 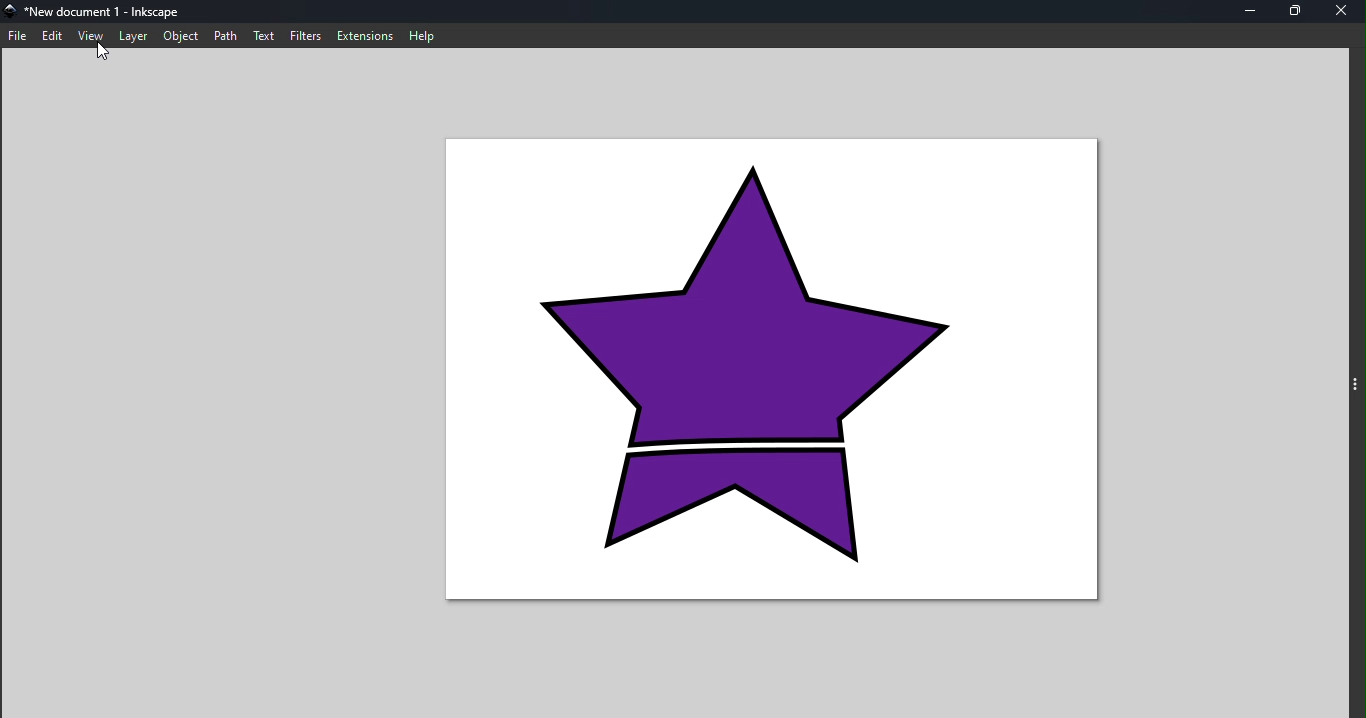 What do you see at coordinates (1297, 11) in the screenshot?
I see `Maximize` at bounding box center [1297, 11].